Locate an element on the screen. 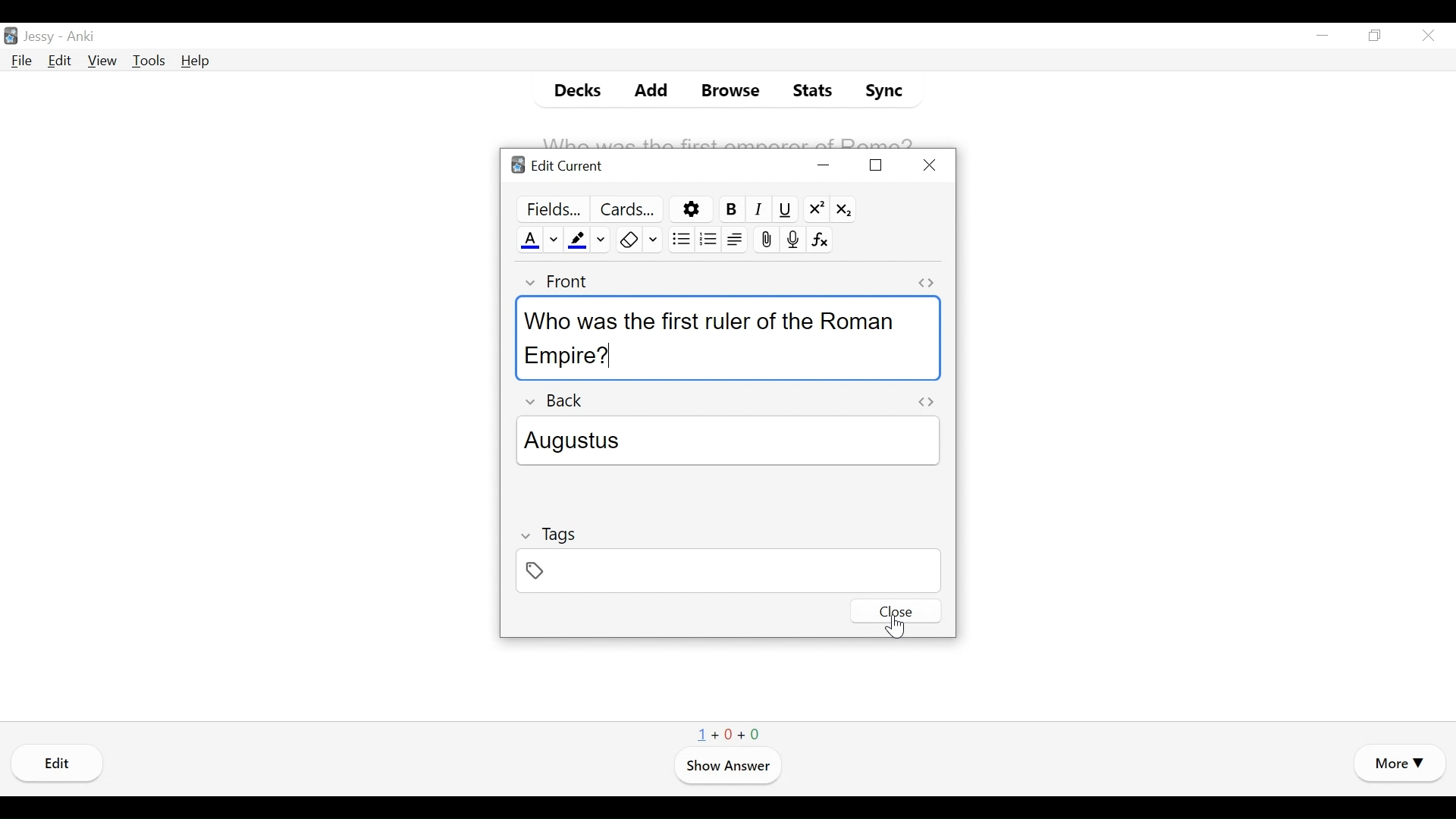  Customize Card is located at coordinates (627, 209).